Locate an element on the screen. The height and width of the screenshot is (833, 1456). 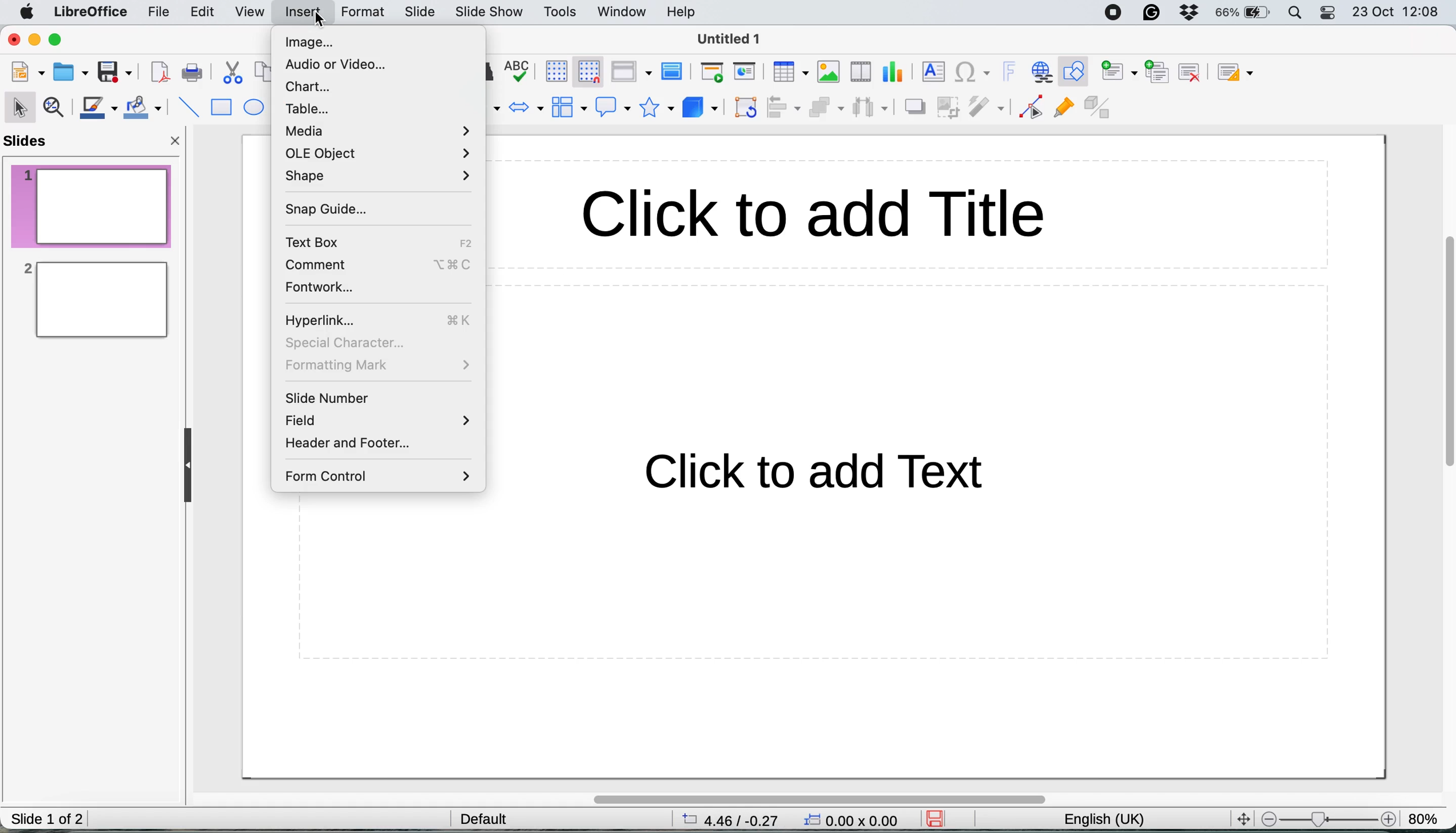
open is located at coordinates (71, 70).